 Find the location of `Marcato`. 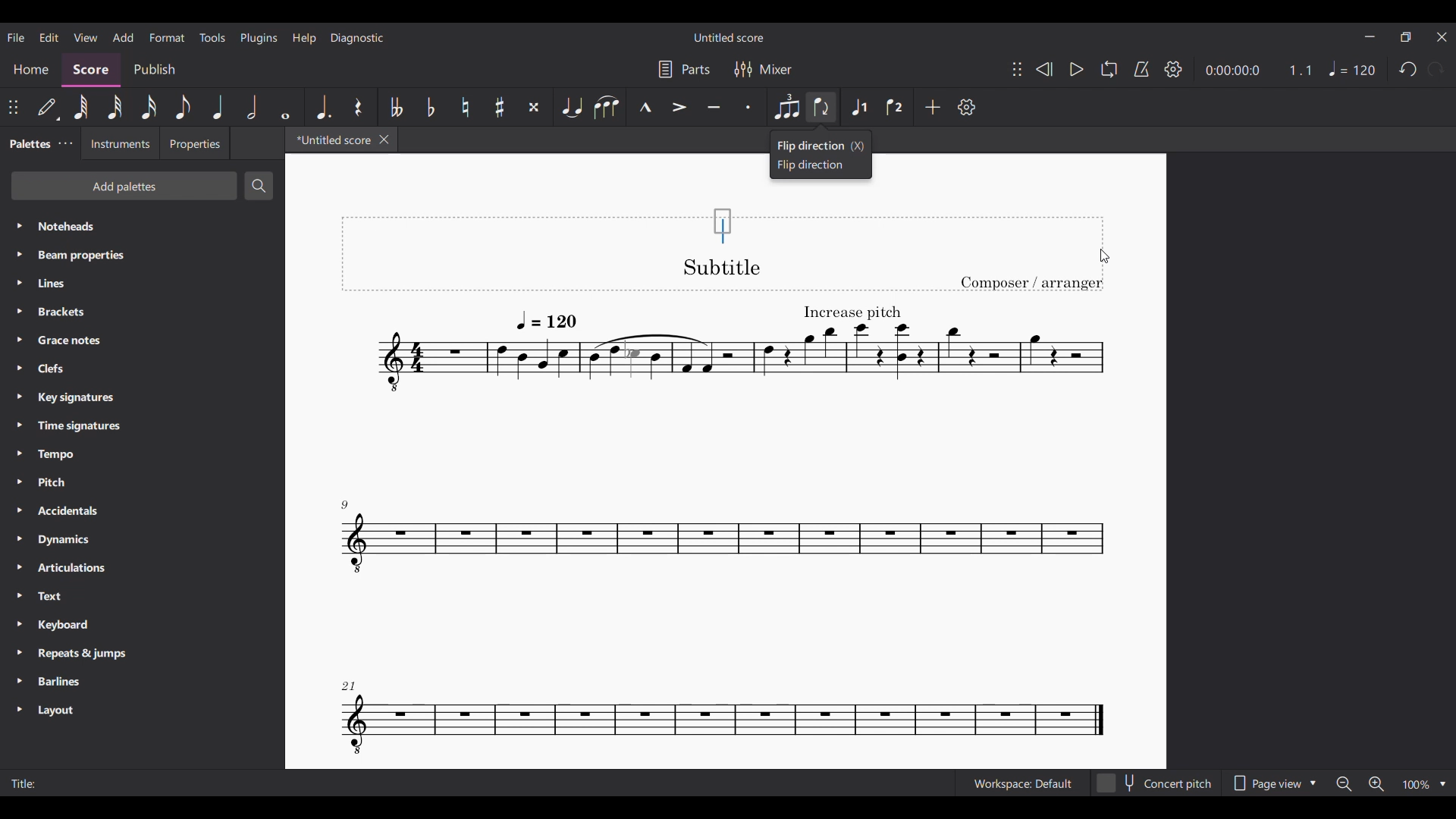

Marcato is located at coordinates (645, 107).